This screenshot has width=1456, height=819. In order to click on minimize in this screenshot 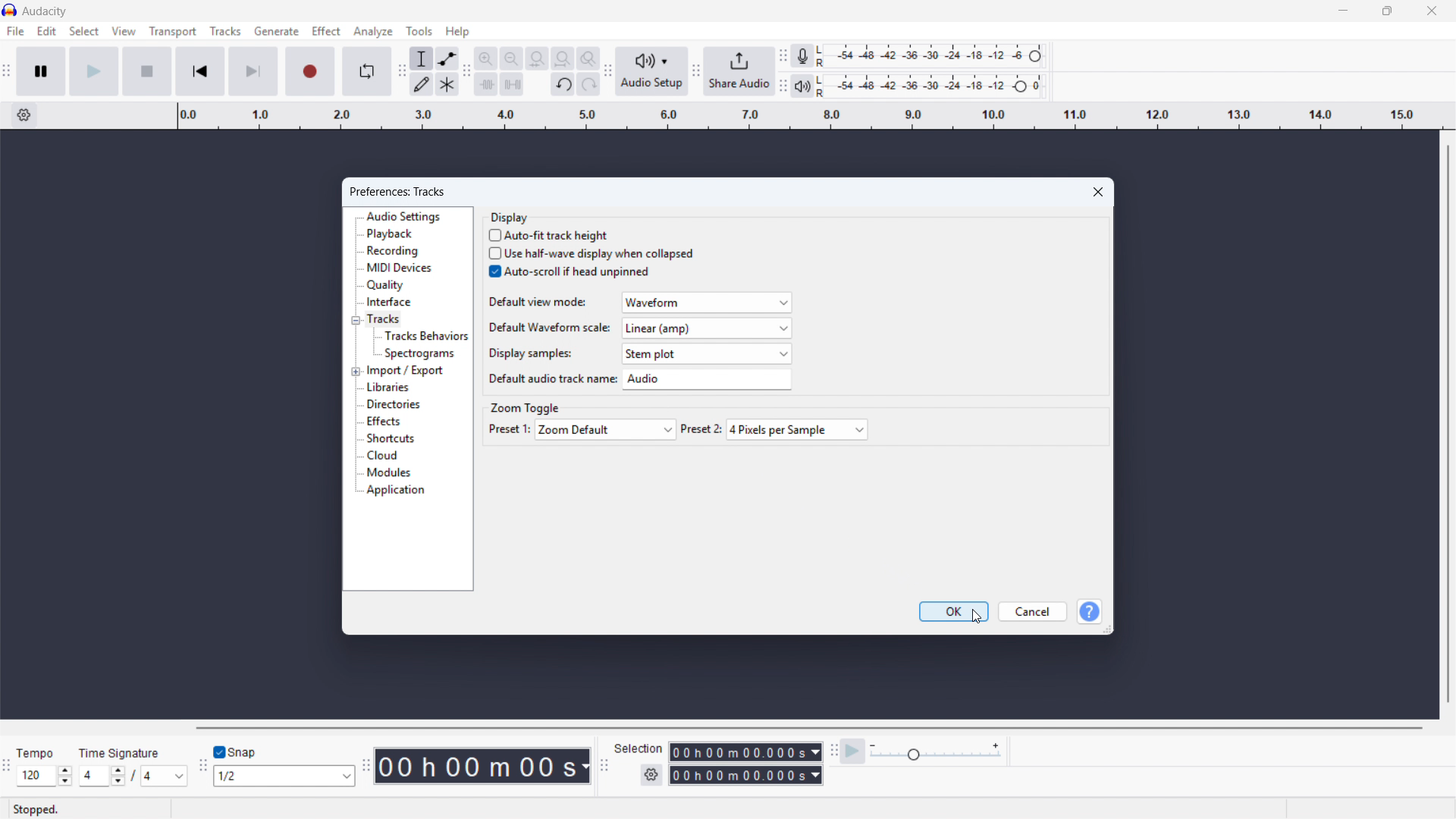, I will do `click(1342, 11)`.